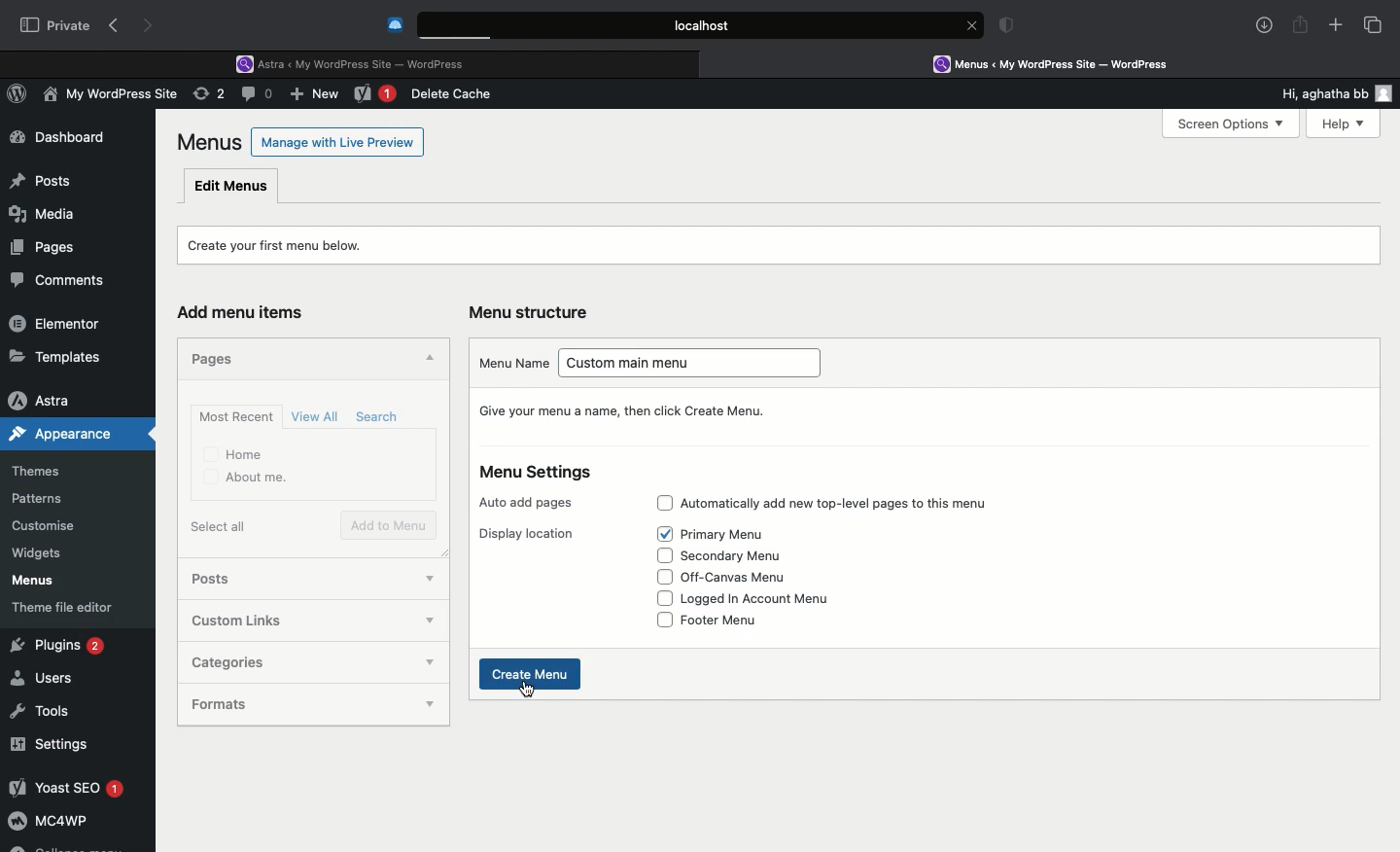  What do you see at coordinates (223, 526) in the screenshot?
I see `Select all` at bounding box center [223, 526].